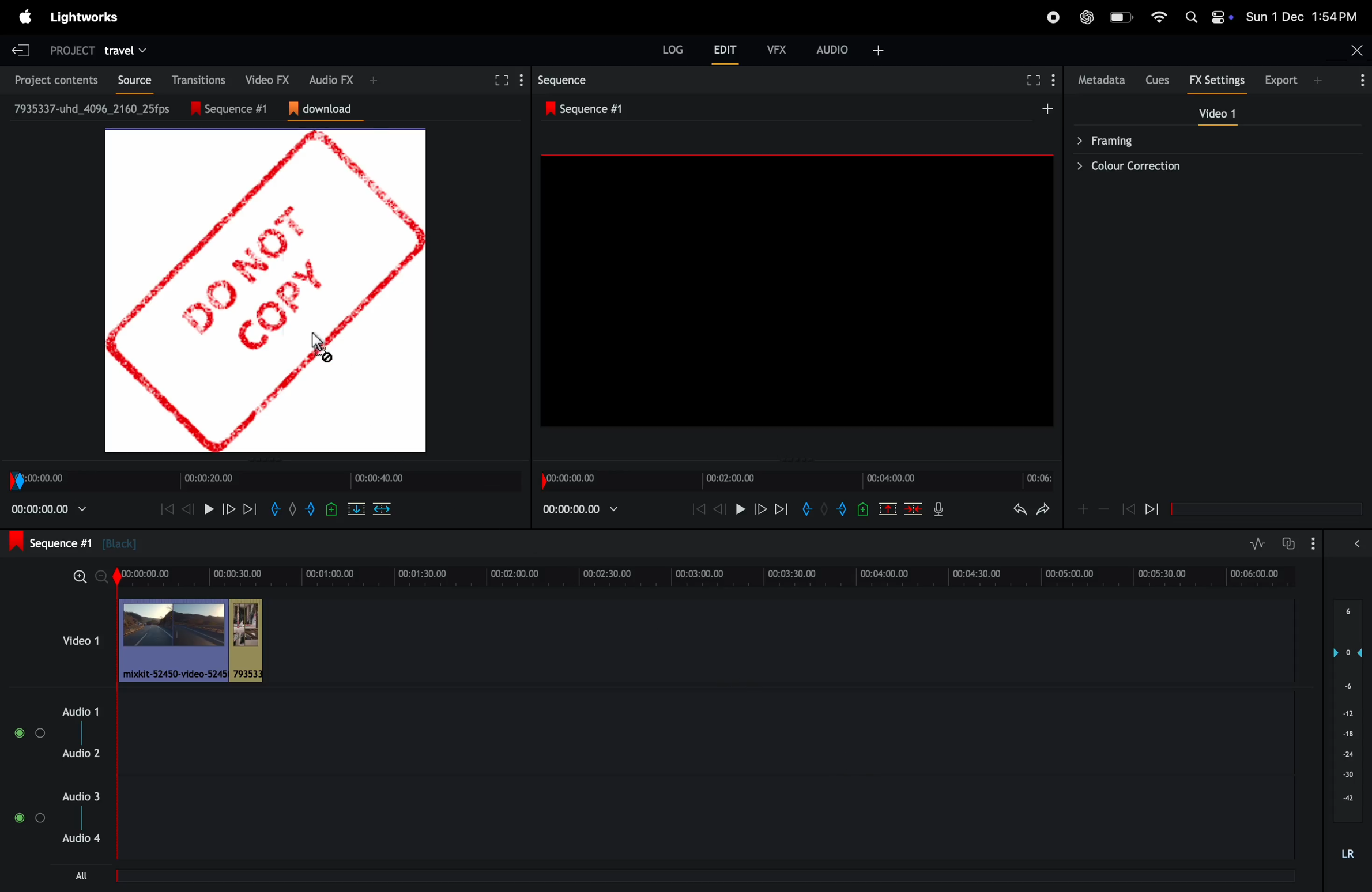 The height and width of the screenshot is (892, 1372). Describe the element at coordinates (81, 640) in the screenshot. I see `video 1` at that location.